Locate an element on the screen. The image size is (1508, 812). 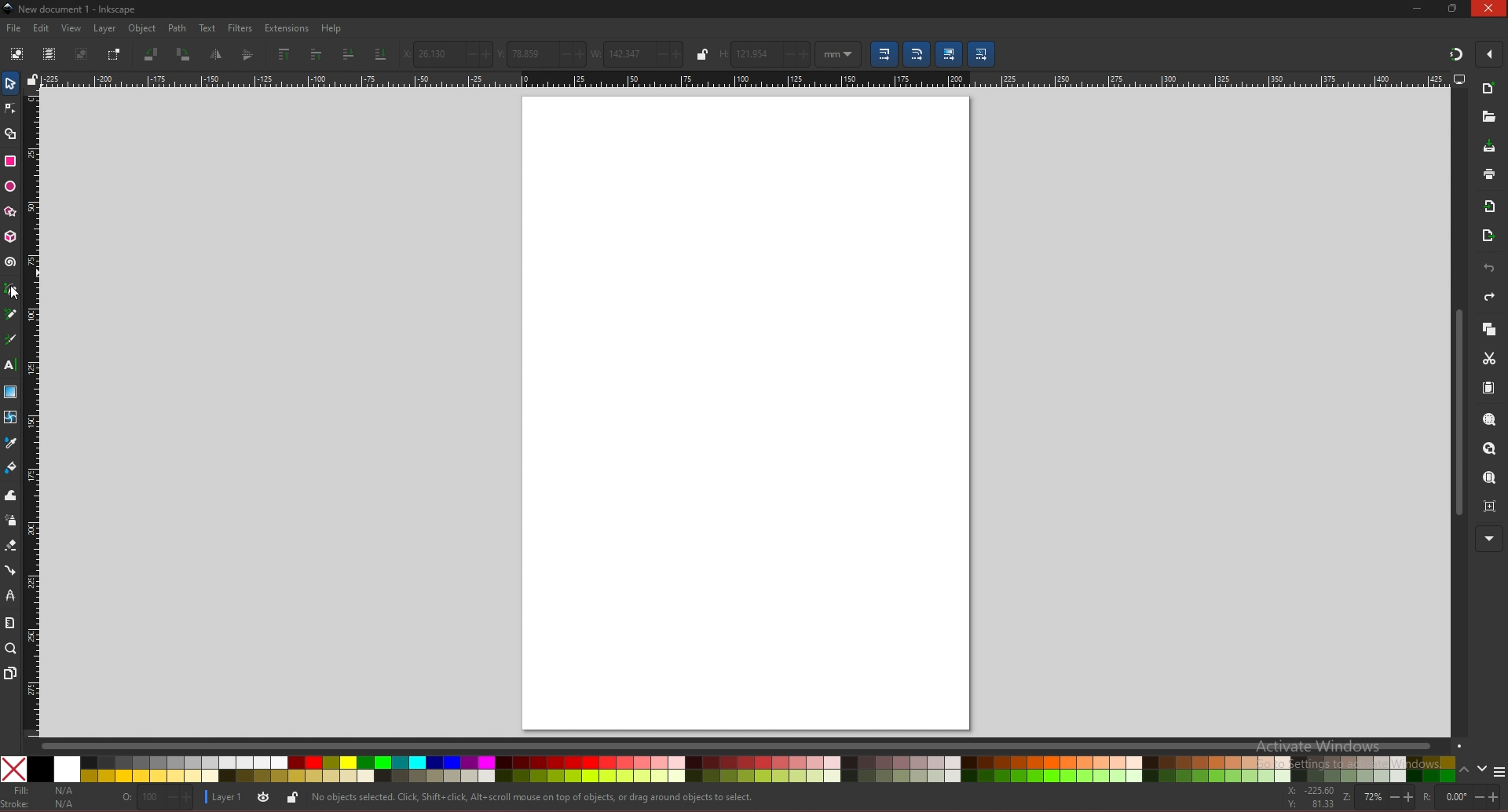
zoom is located at coordinates (1378, 797).